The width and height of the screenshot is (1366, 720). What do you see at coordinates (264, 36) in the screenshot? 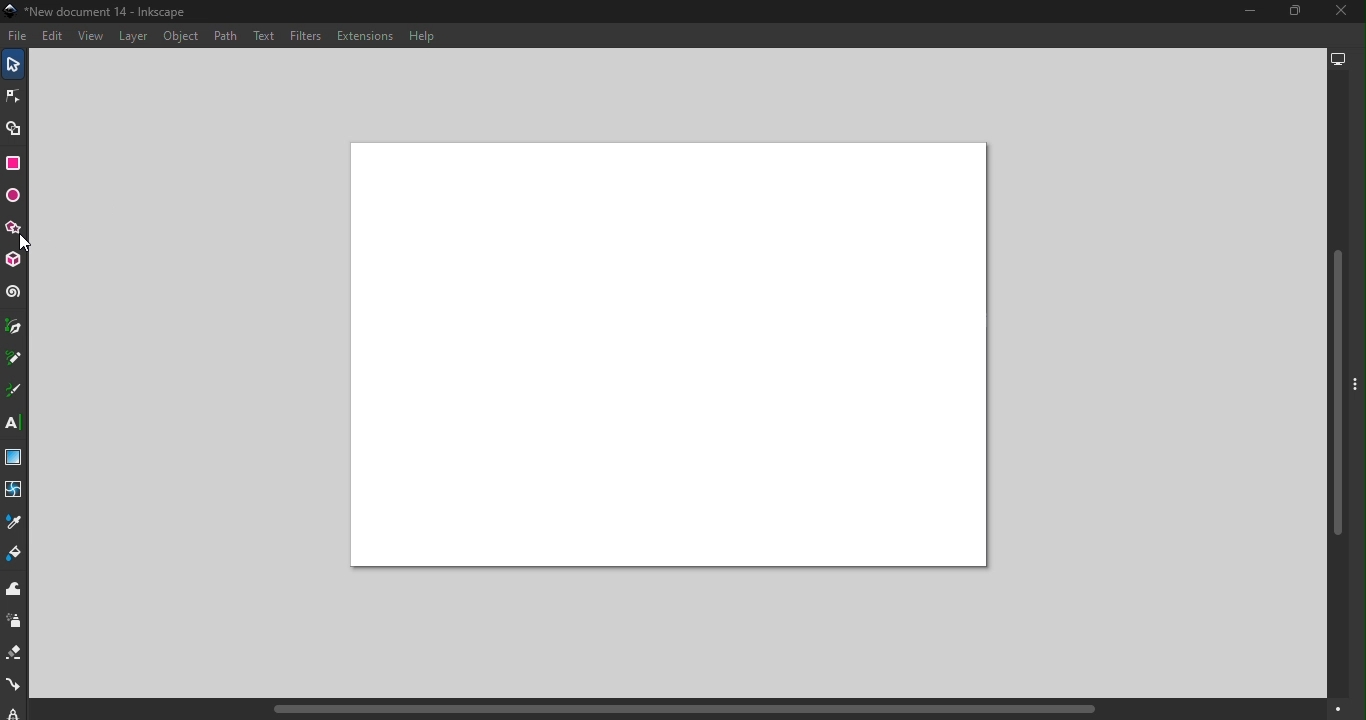
I see `Text` at bounding box center [264, 36].